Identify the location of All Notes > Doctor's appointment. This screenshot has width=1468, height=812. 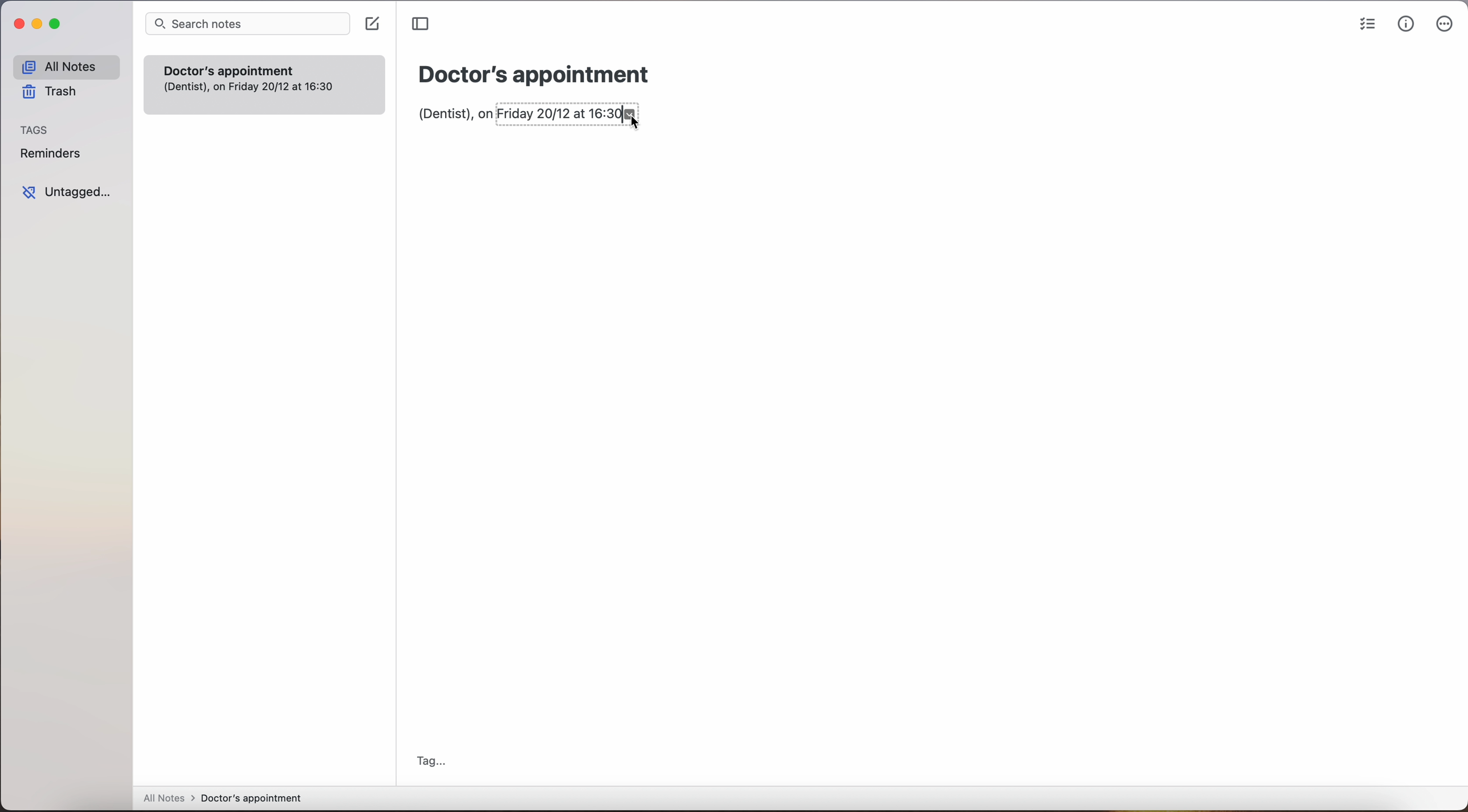
(222, 799).